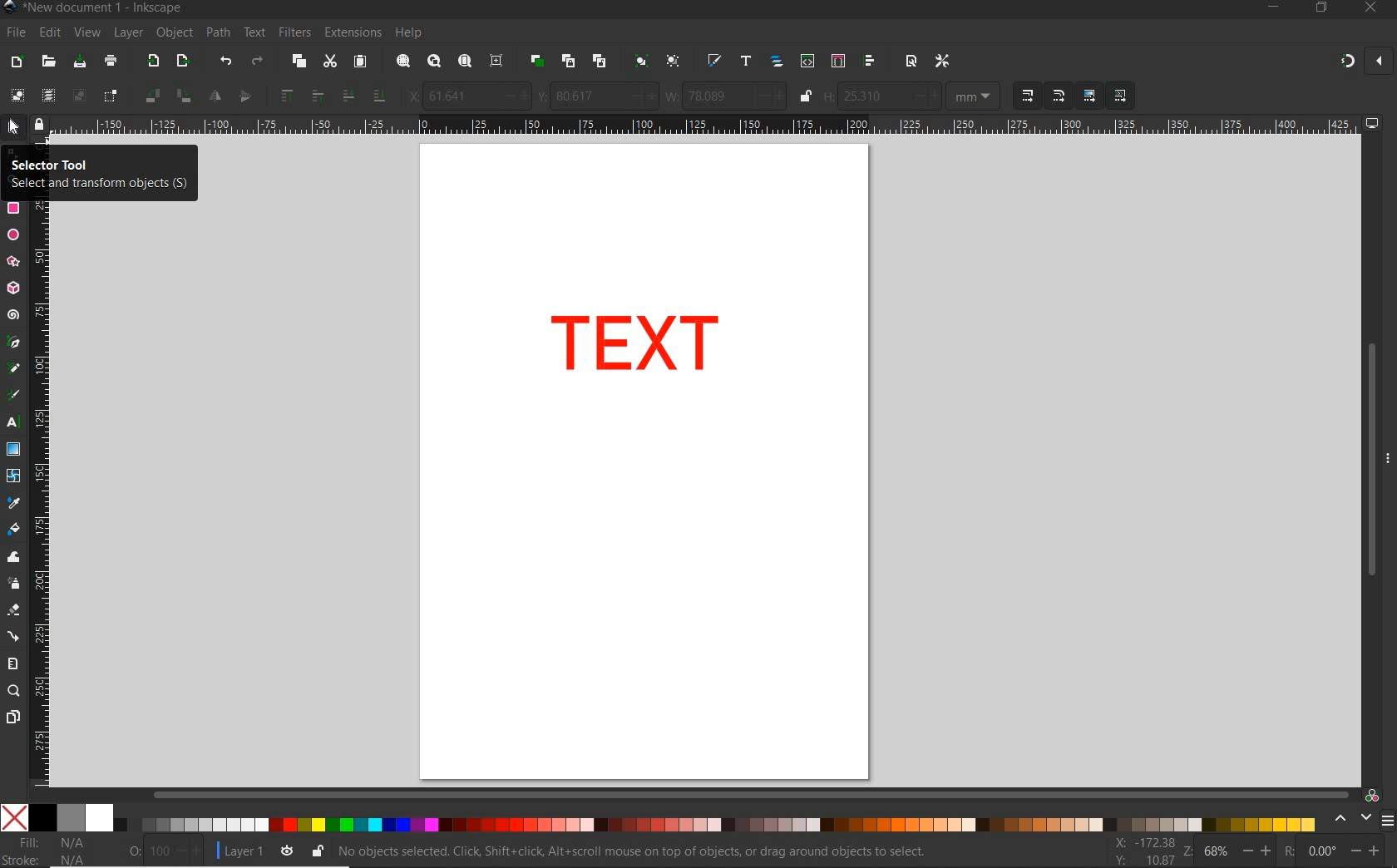 This screenshot has height=868, width=1397. Describe the element at coordinates (13, 692) in the screenshot. I see `zoom tool` at that location.